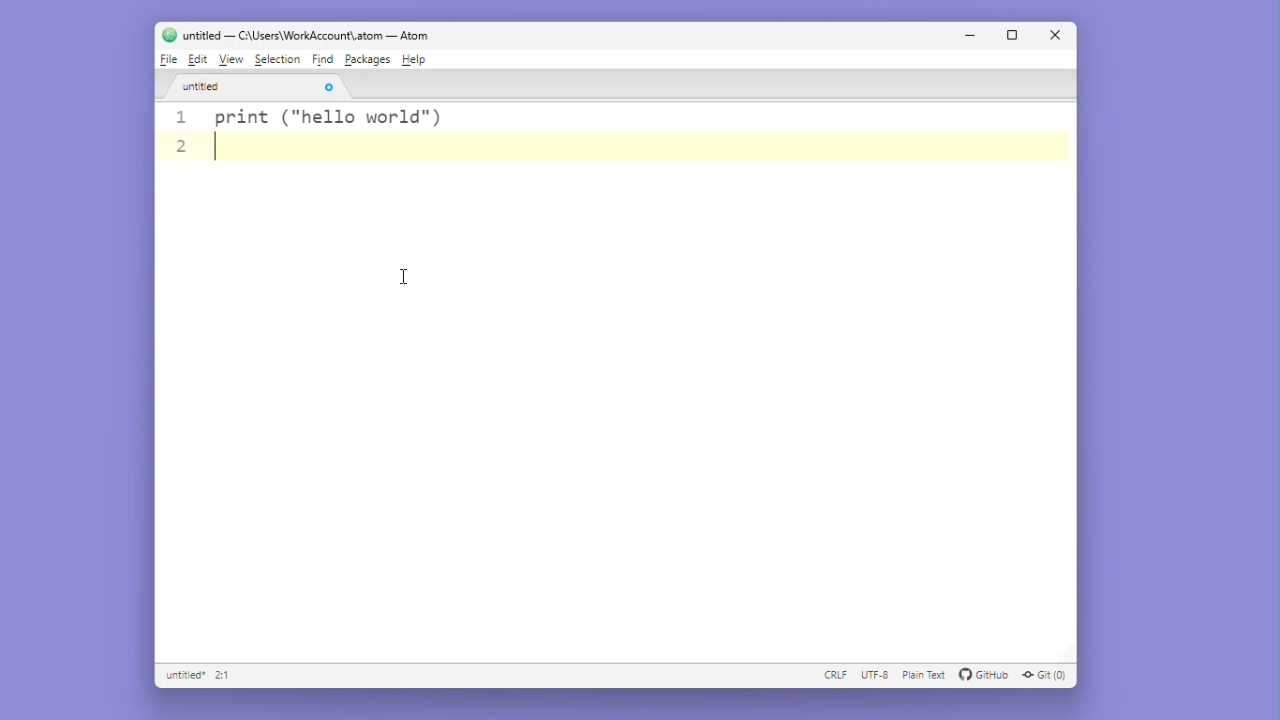 The height and width of the screenshot is (720, 1280). What do you see at coordinates (403, 277) in the screenshot?
I see `cursor` at bounding box center [403, 277].